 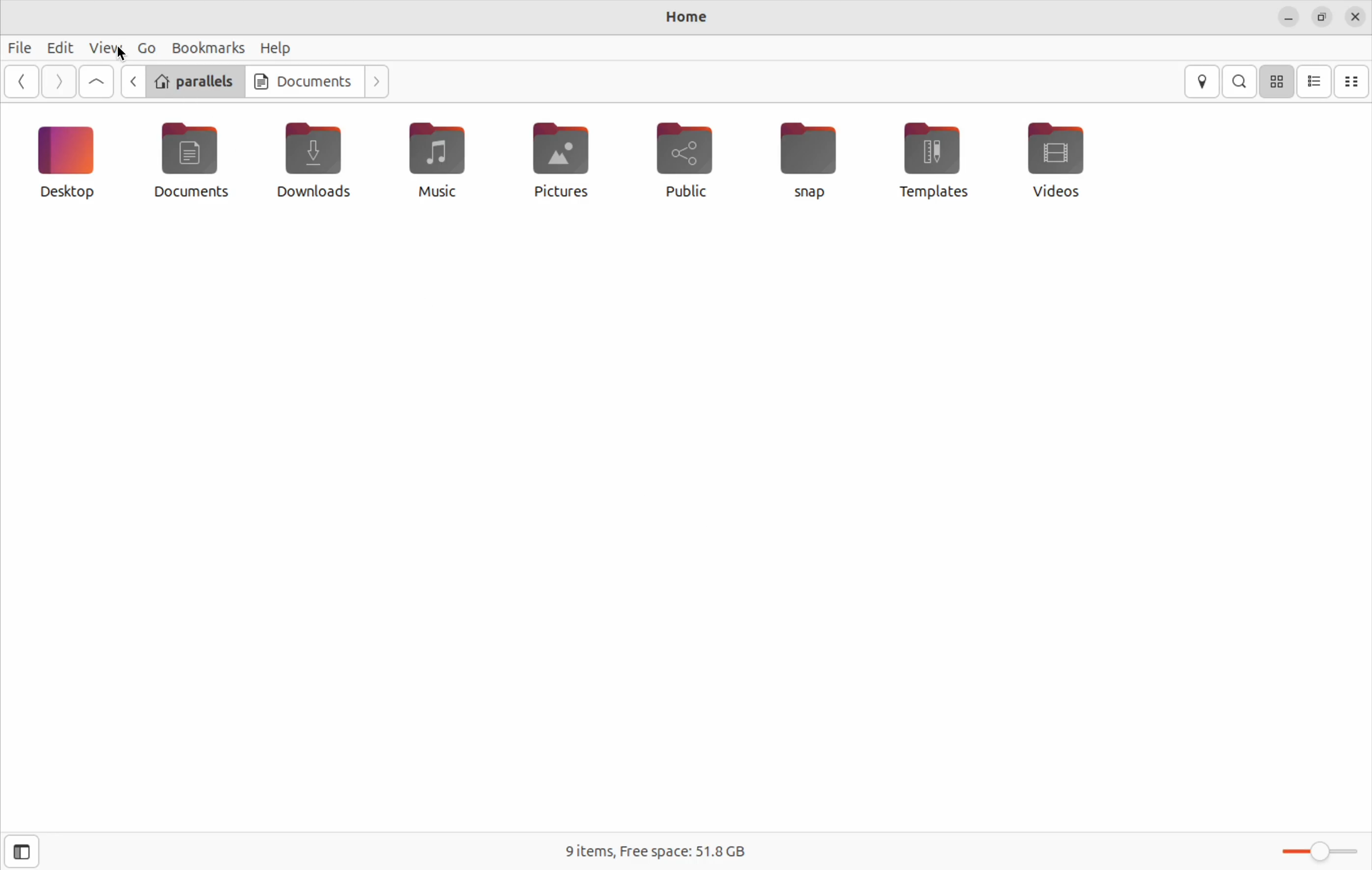 I want to click on toggle zoom, so click(x=1320, y=853).